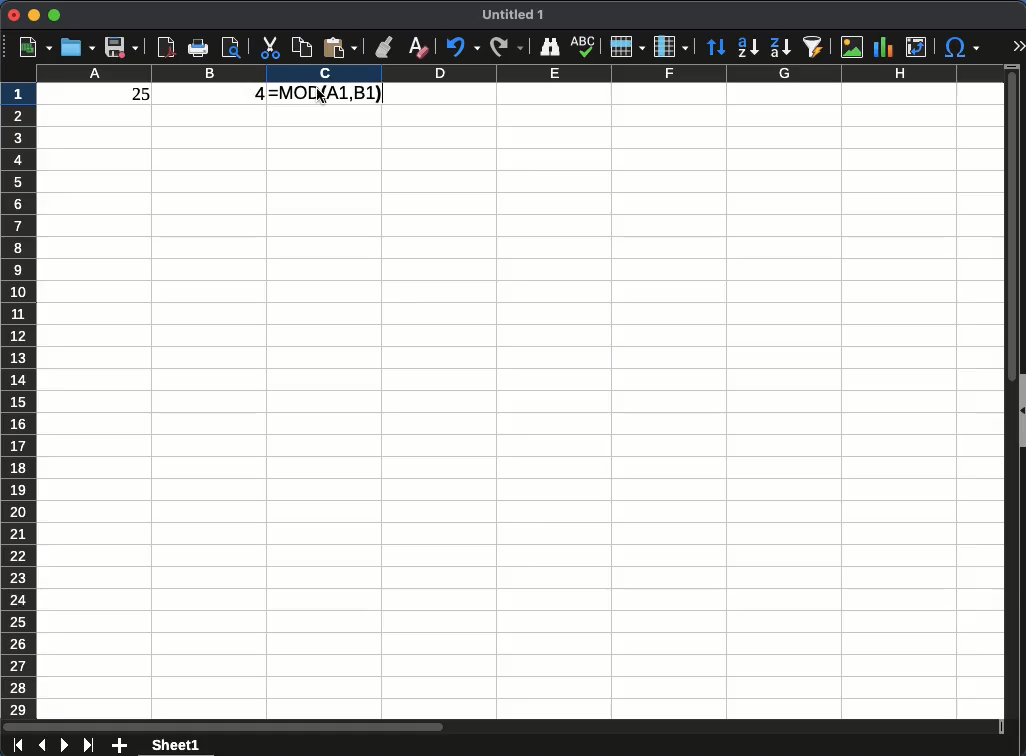  I want to click on pdf preview, so click(166, 49).